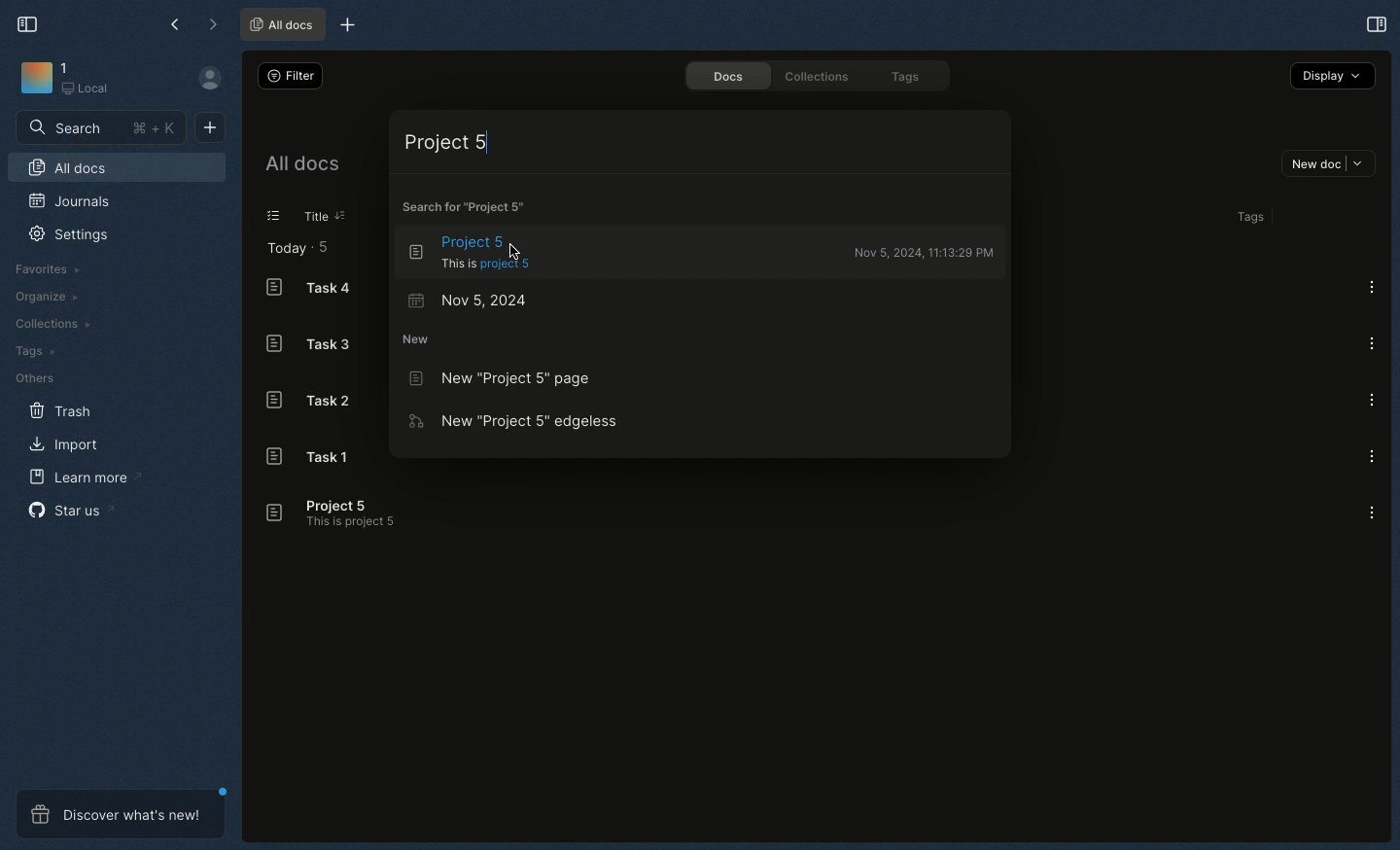 This screenshot has width=1400, height=850. Describe the element at coordinates (102, 130) in the screenshot. I see `Search` at that location.